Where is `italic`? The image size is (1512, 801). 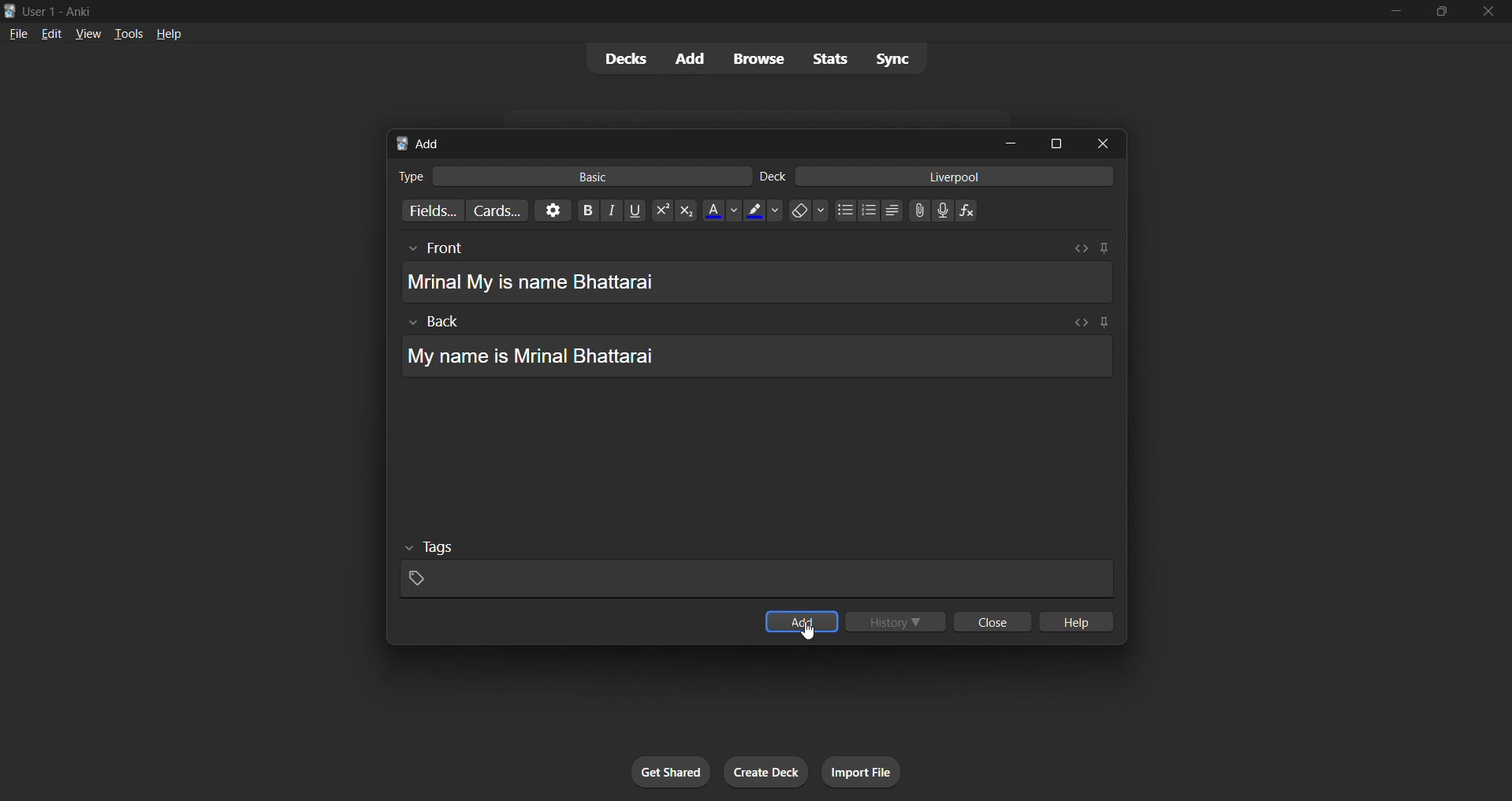 italic is located at coordinates (605, 210).